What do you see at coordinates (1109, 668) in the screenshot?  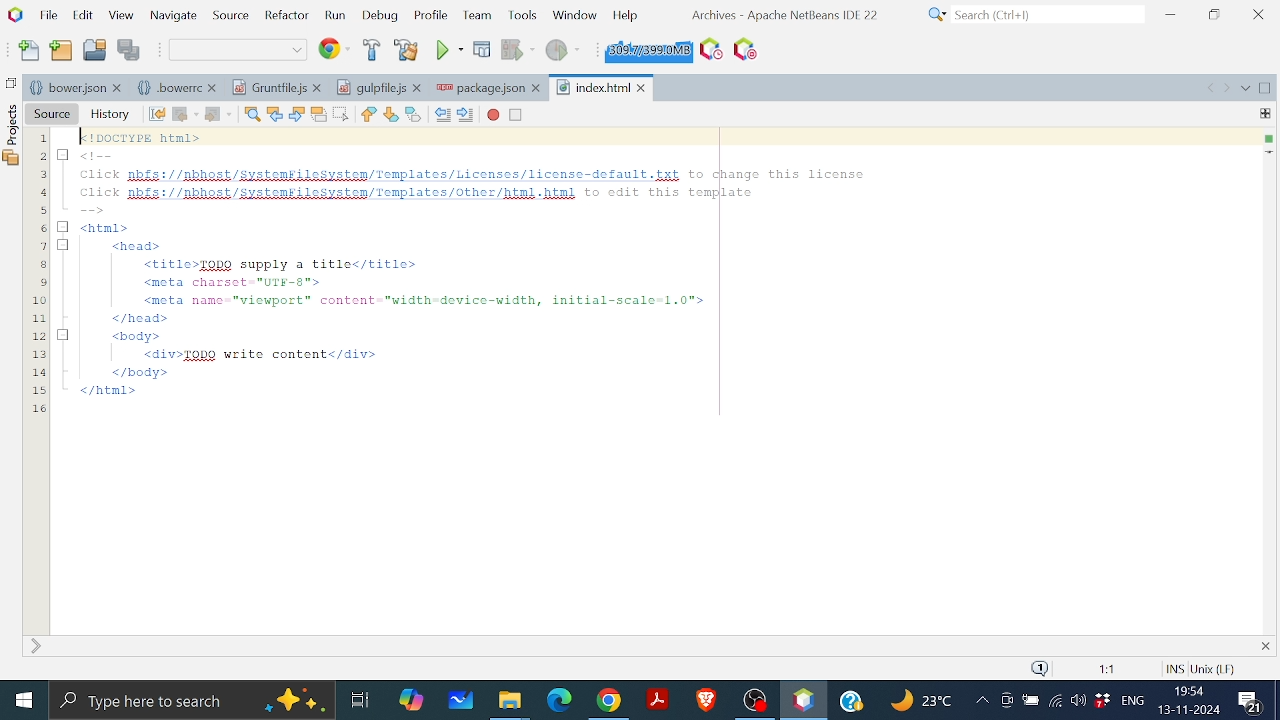 I see `scaling factor` at bounding box center [1109, 668].